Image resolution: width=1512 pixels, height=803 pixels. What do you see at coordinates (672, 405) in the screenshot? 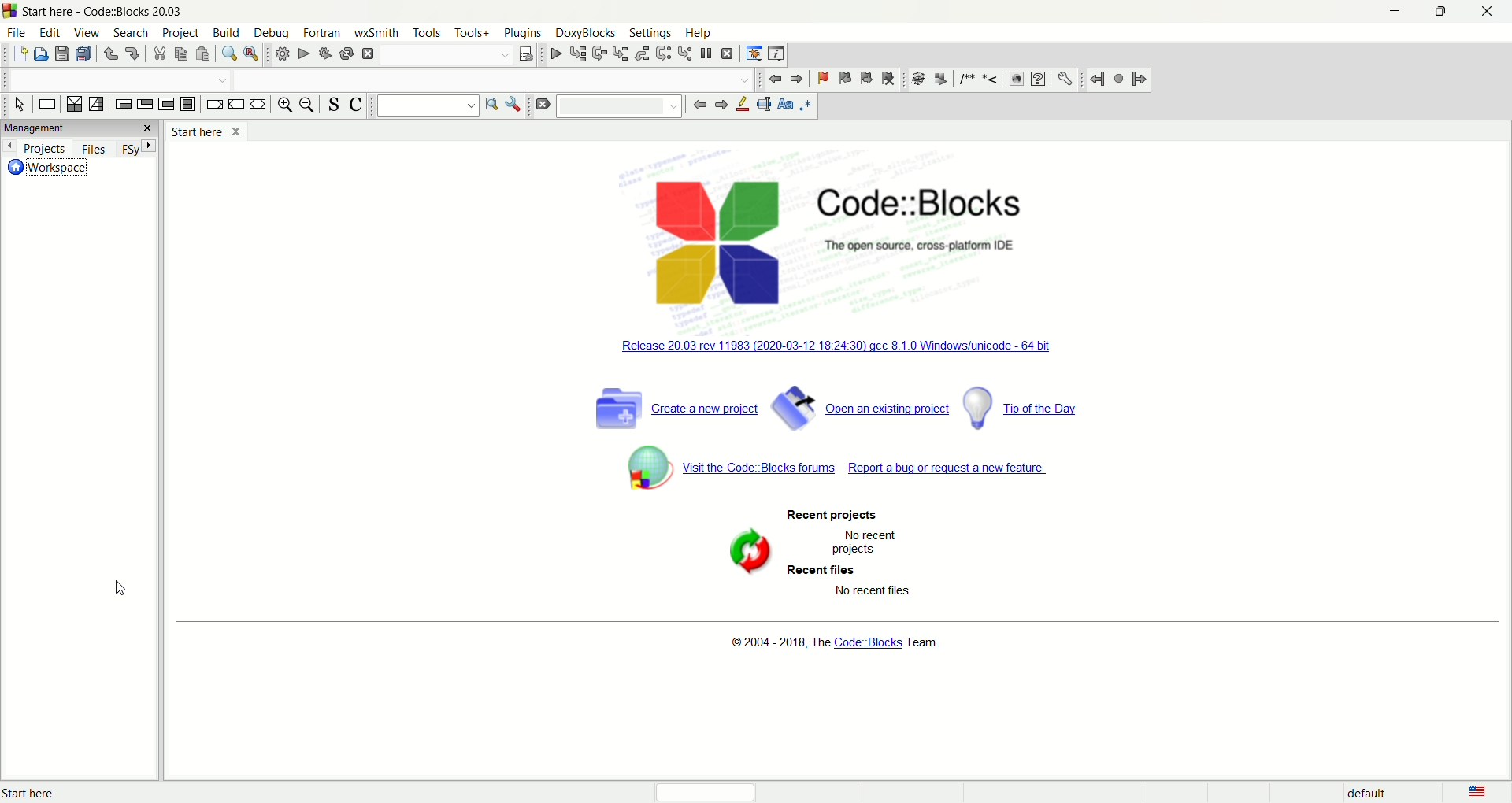
I see `create a new project` at bounding box center [672, 405].